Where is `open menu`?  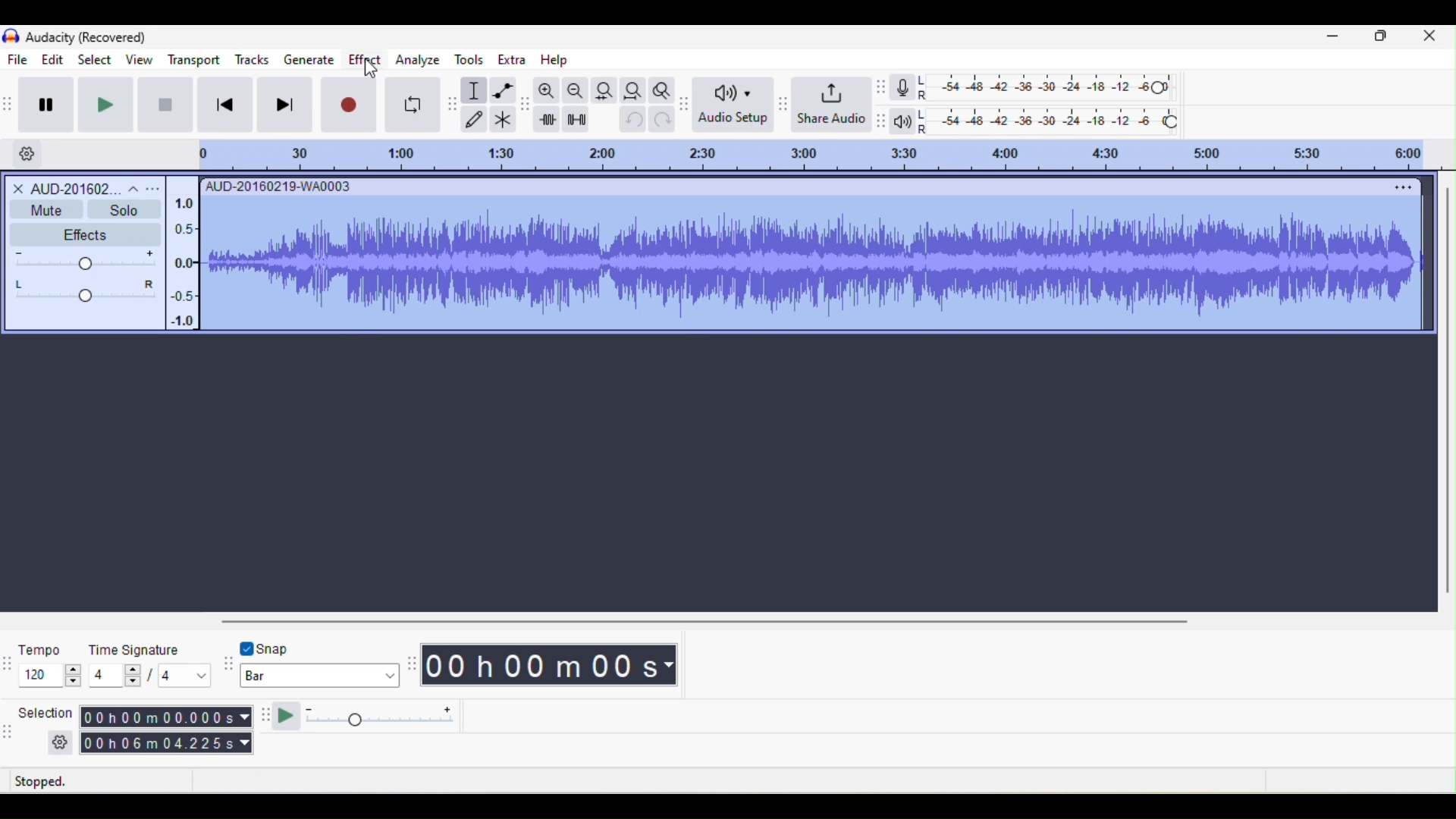 open menu is located at coordinates (154, 188).